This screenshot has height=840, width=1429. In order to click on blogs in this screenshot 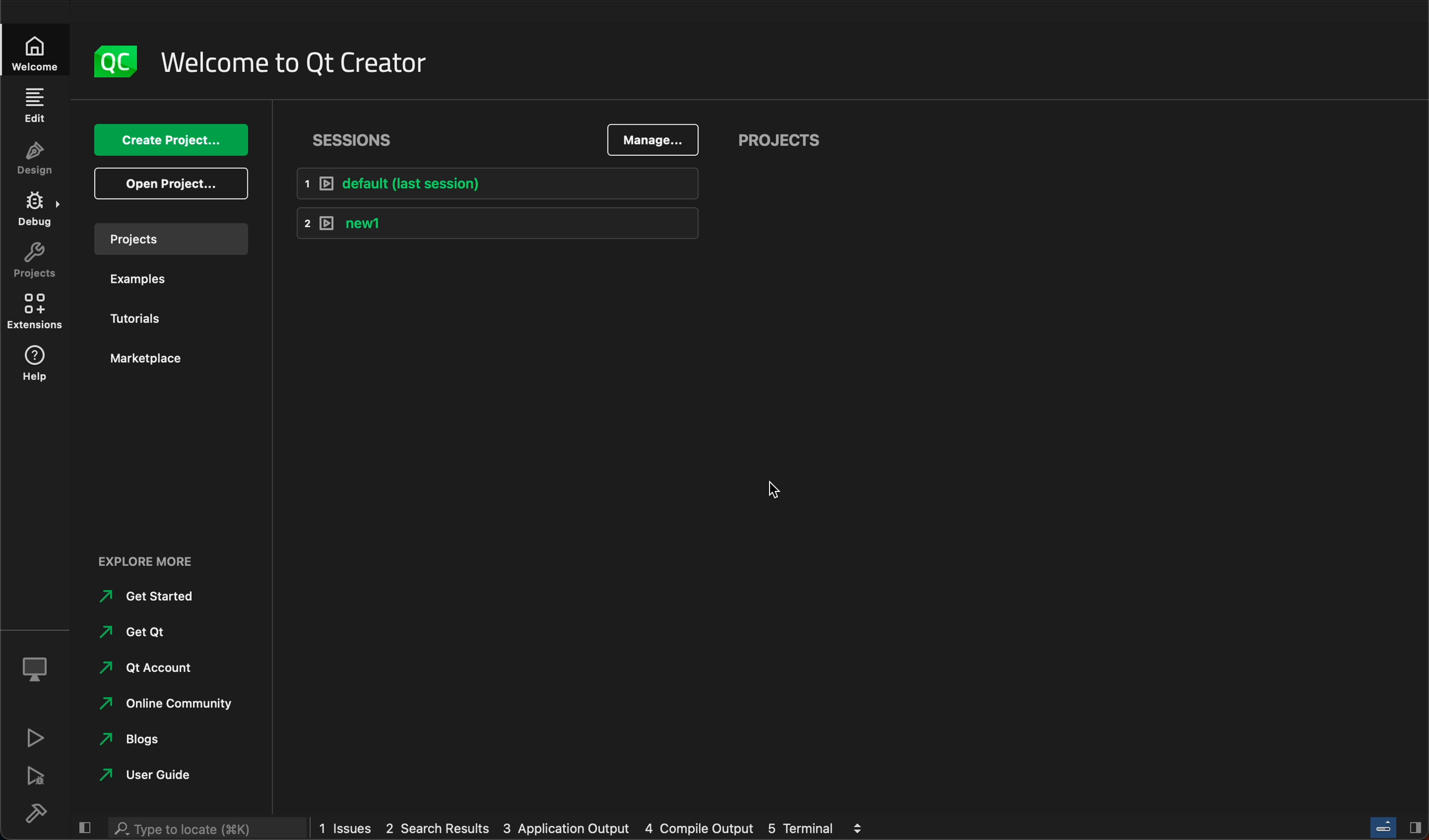, I will do `click(134, 739)`.